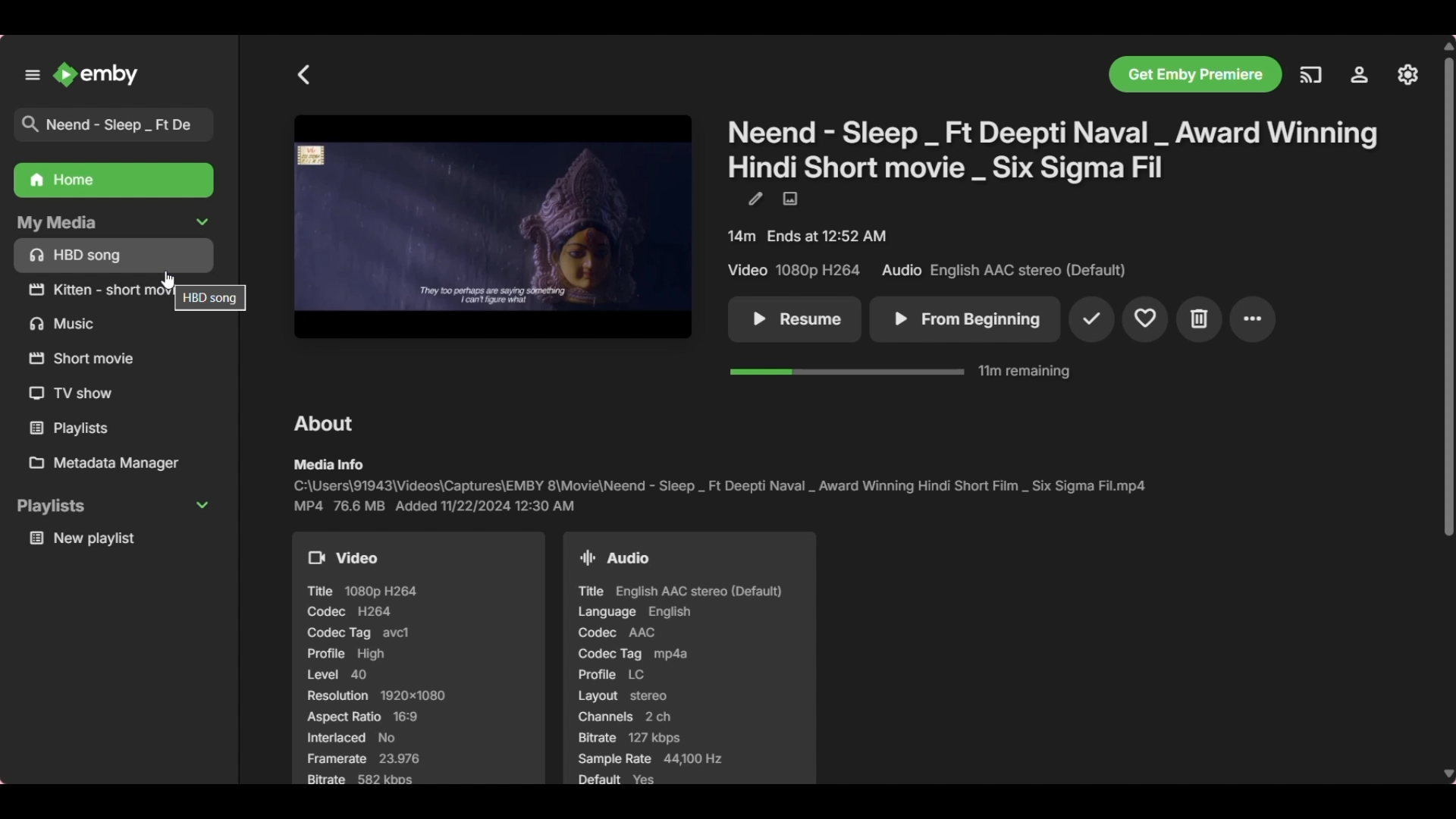 The width and height of the screenshot is (1456, 819). What do you see at coordinates (67, 324) in the screenshot?
I see `` at bounding box center [67, 324].